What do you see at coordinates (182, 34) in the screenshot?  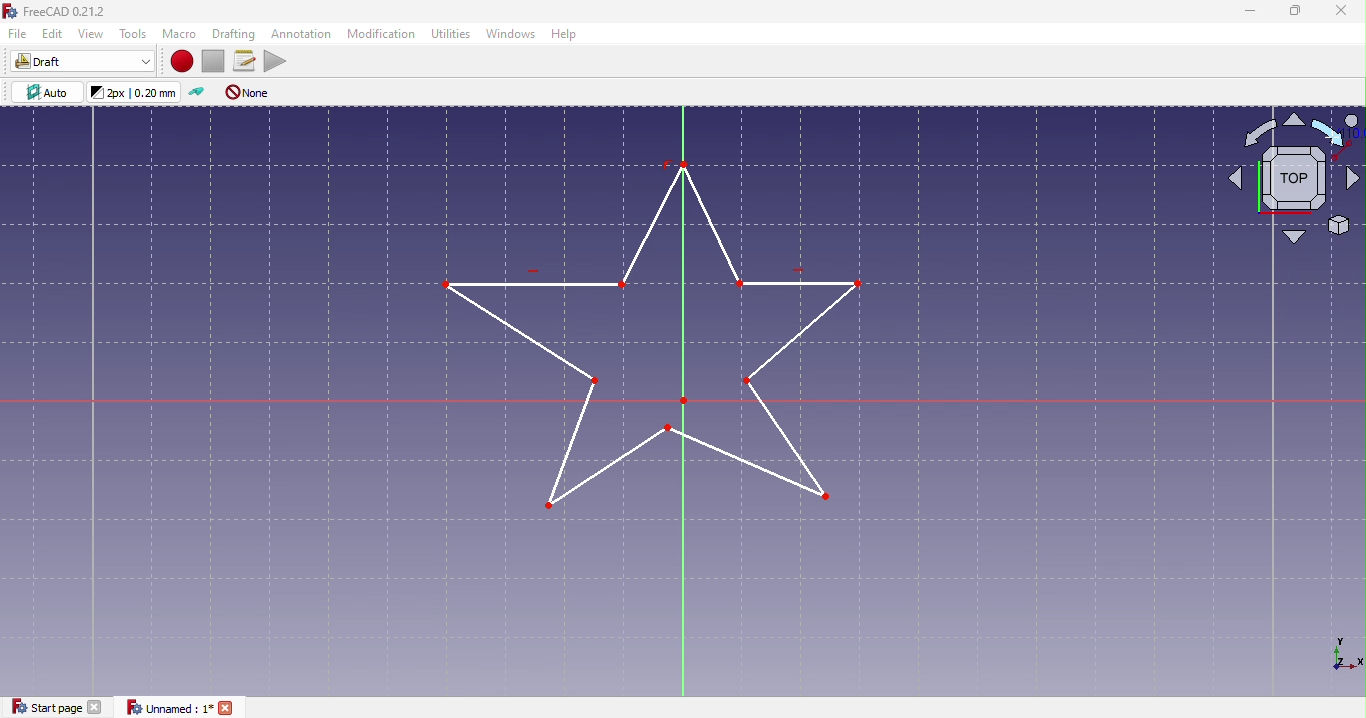 I see `Macro` at bounding box center [182, 34].